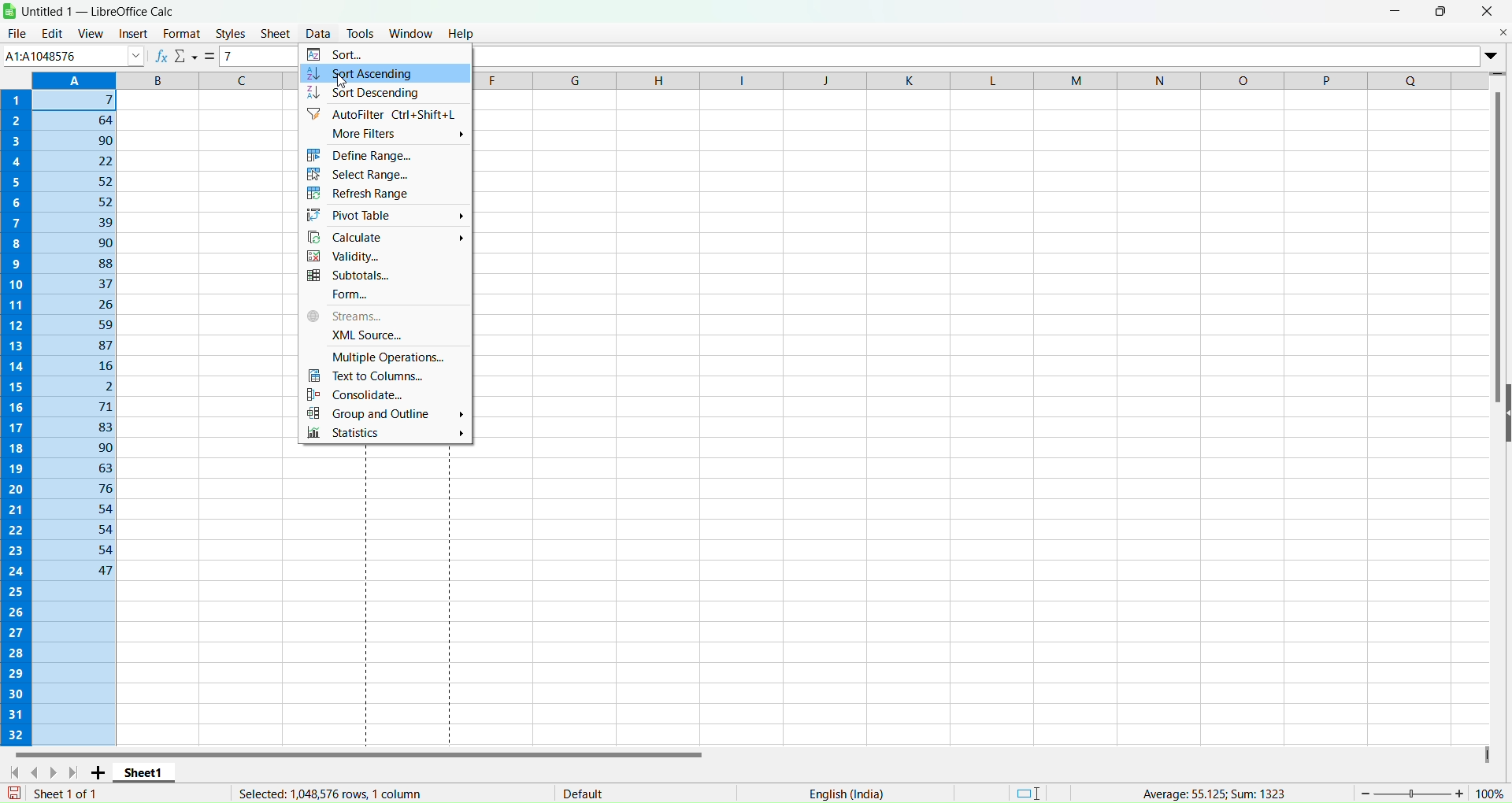 The height and width of the screenshot is (803, 1512). What do you see at coordinates (382, 335) in the screenshot?
I see `XML Source` at bounding box center [382, 335].